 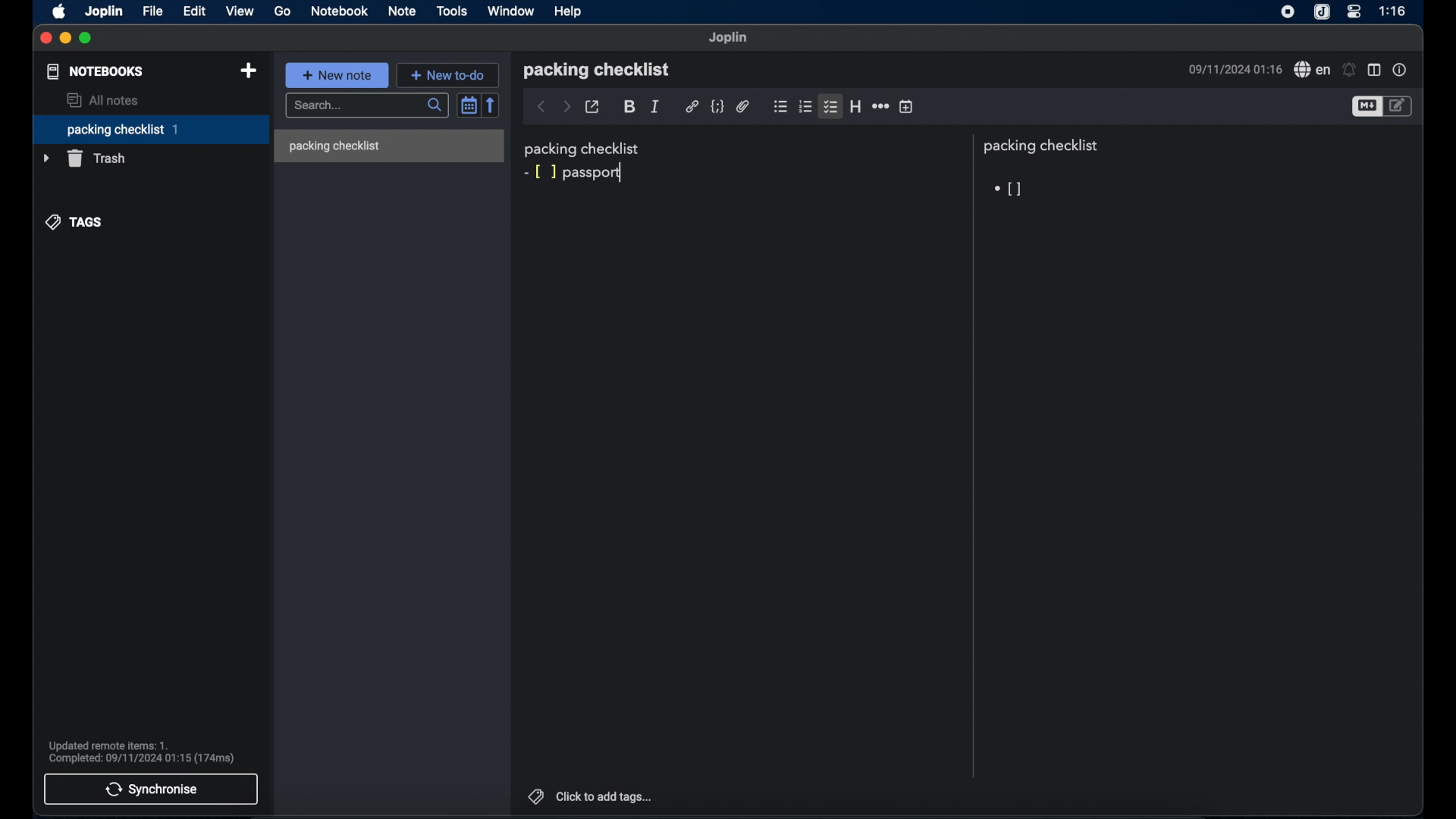 What do you see at coordinates (248, 71) in the screenshot?
I see `new notebook` at bounding box center [248, 71].